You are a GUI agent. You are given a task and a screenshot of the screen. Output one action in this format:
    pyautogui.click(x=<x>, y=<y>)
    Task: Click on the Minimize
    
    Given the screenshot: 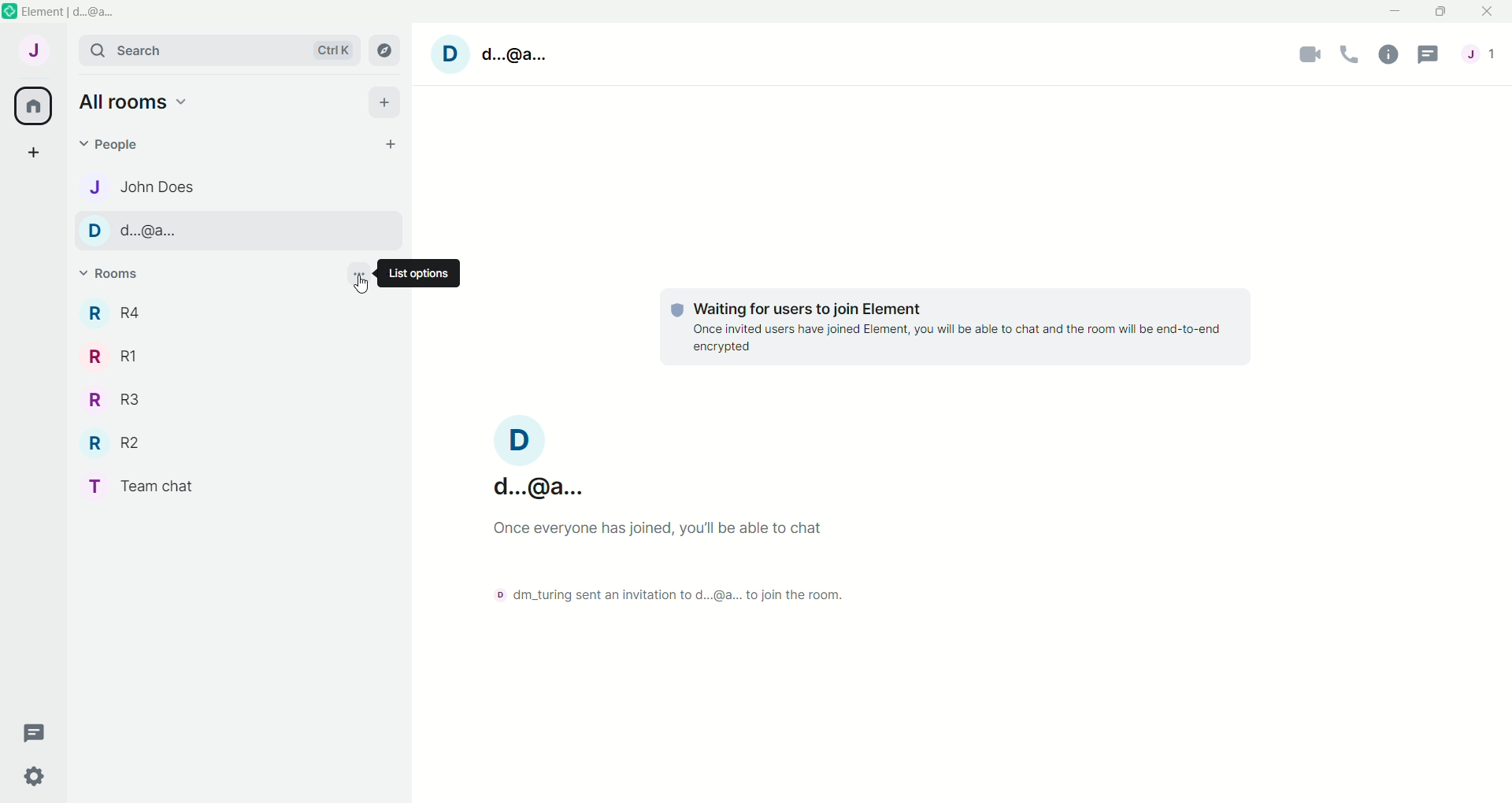 What is the action you would take?
    pyautogui.click(x=1393, y=11)
    